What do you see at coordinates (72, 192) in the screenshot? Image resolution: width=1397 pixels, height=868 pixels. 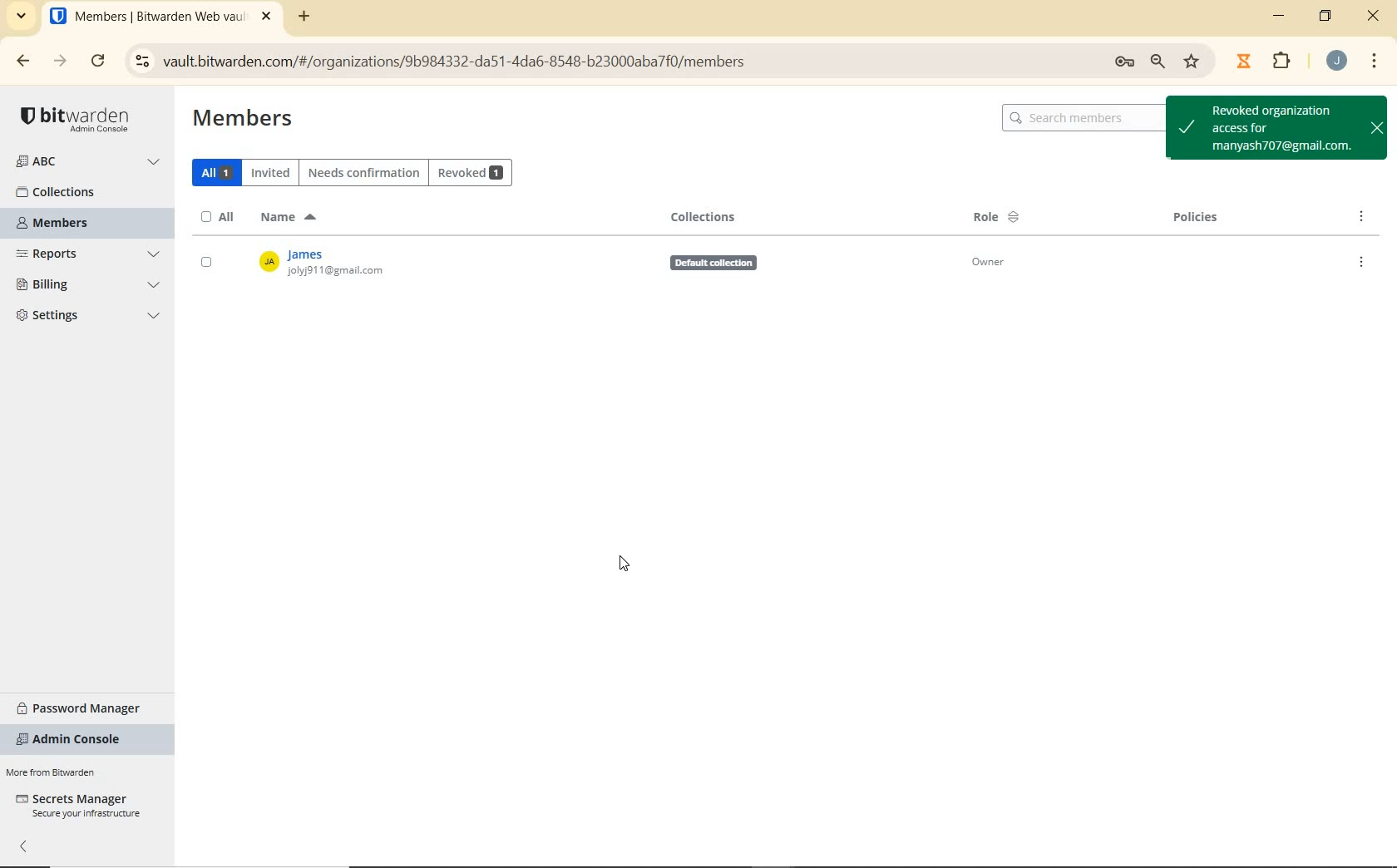 I see `COLLECTIONS` at bounding box center [72, 192].